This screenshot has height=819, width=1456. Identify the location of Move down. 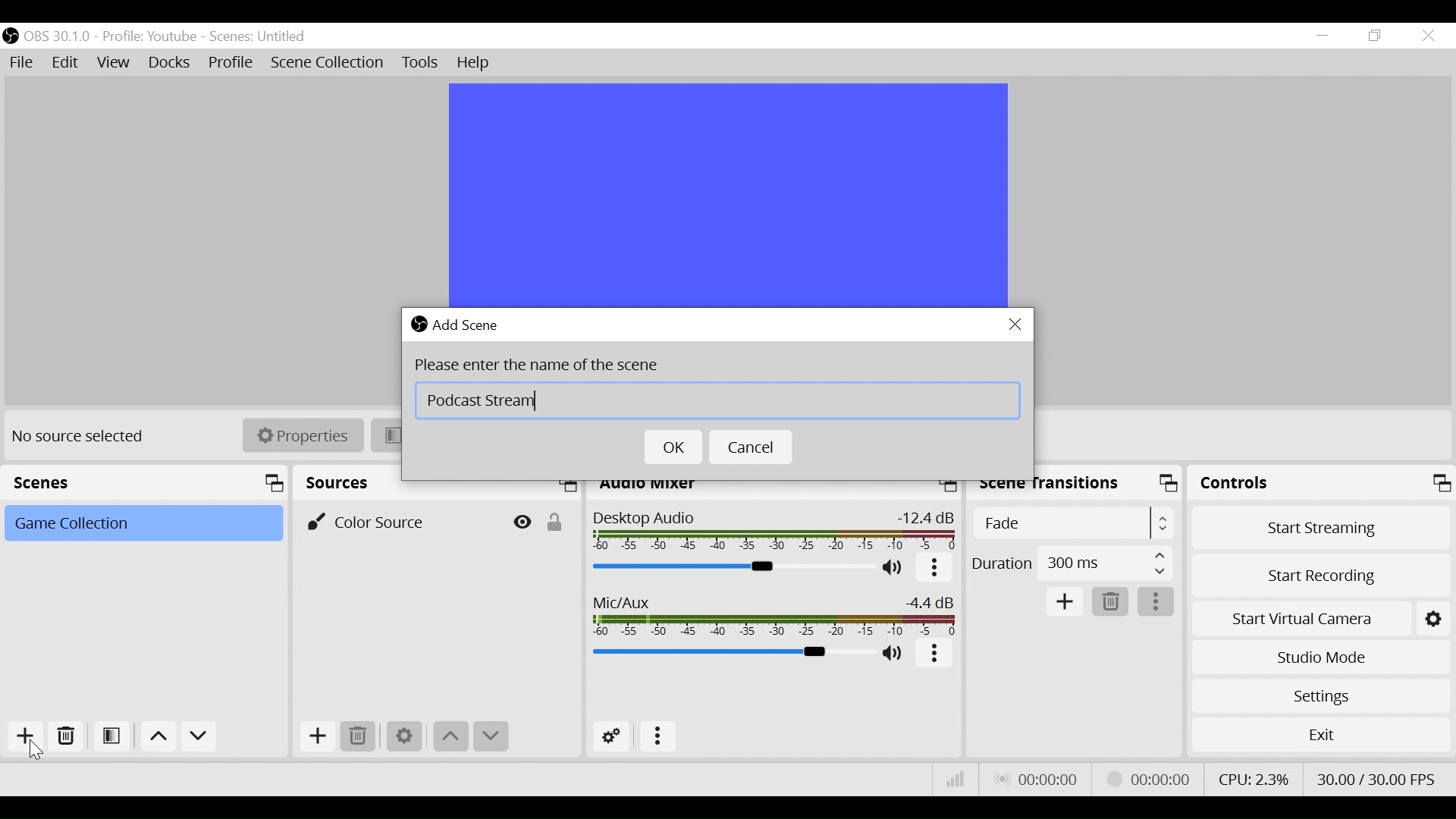
(489, 737).